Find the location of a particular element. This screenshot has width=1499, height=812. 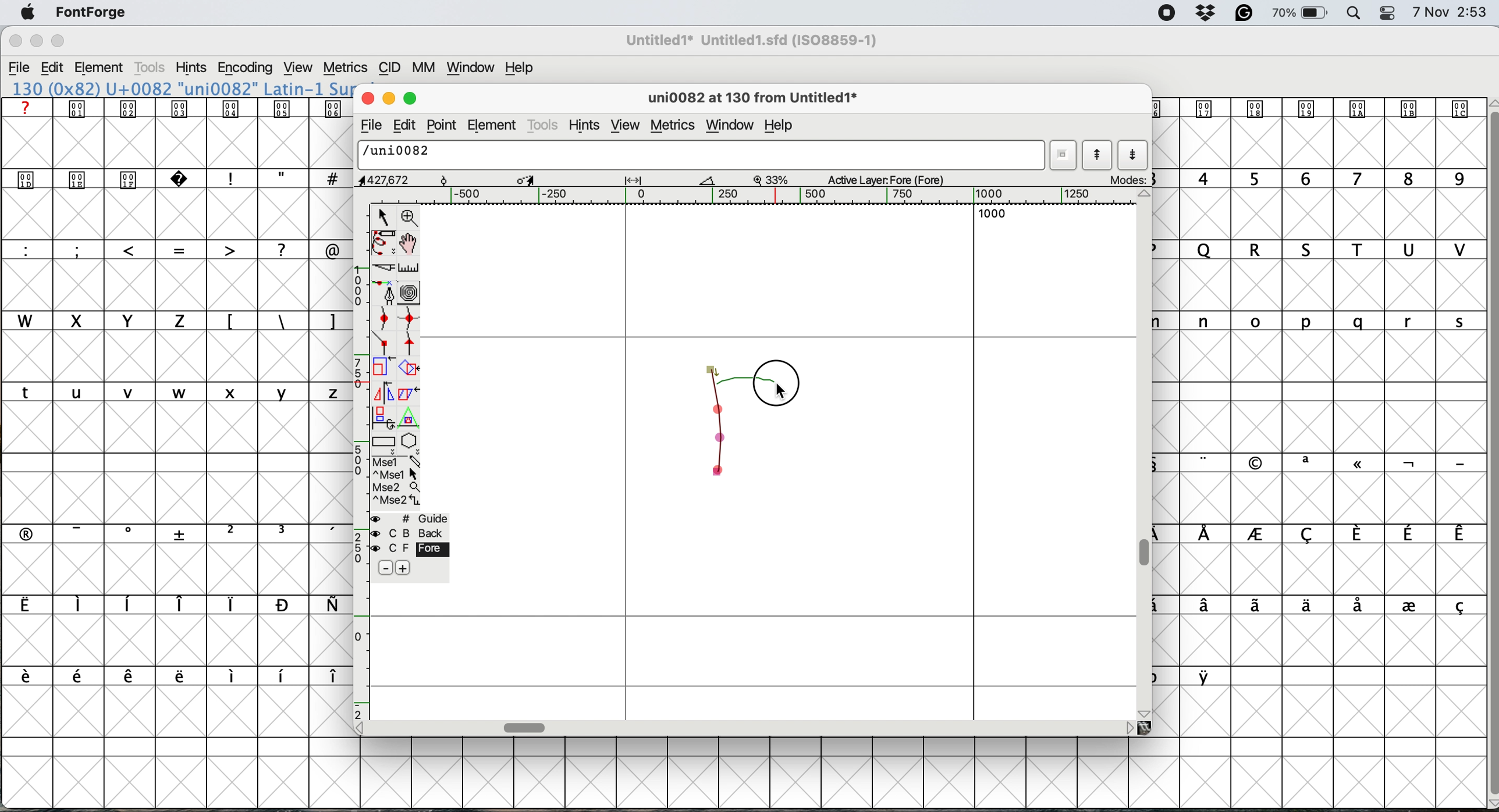

vertical scroll bar is located at coordinates (1486, 450).